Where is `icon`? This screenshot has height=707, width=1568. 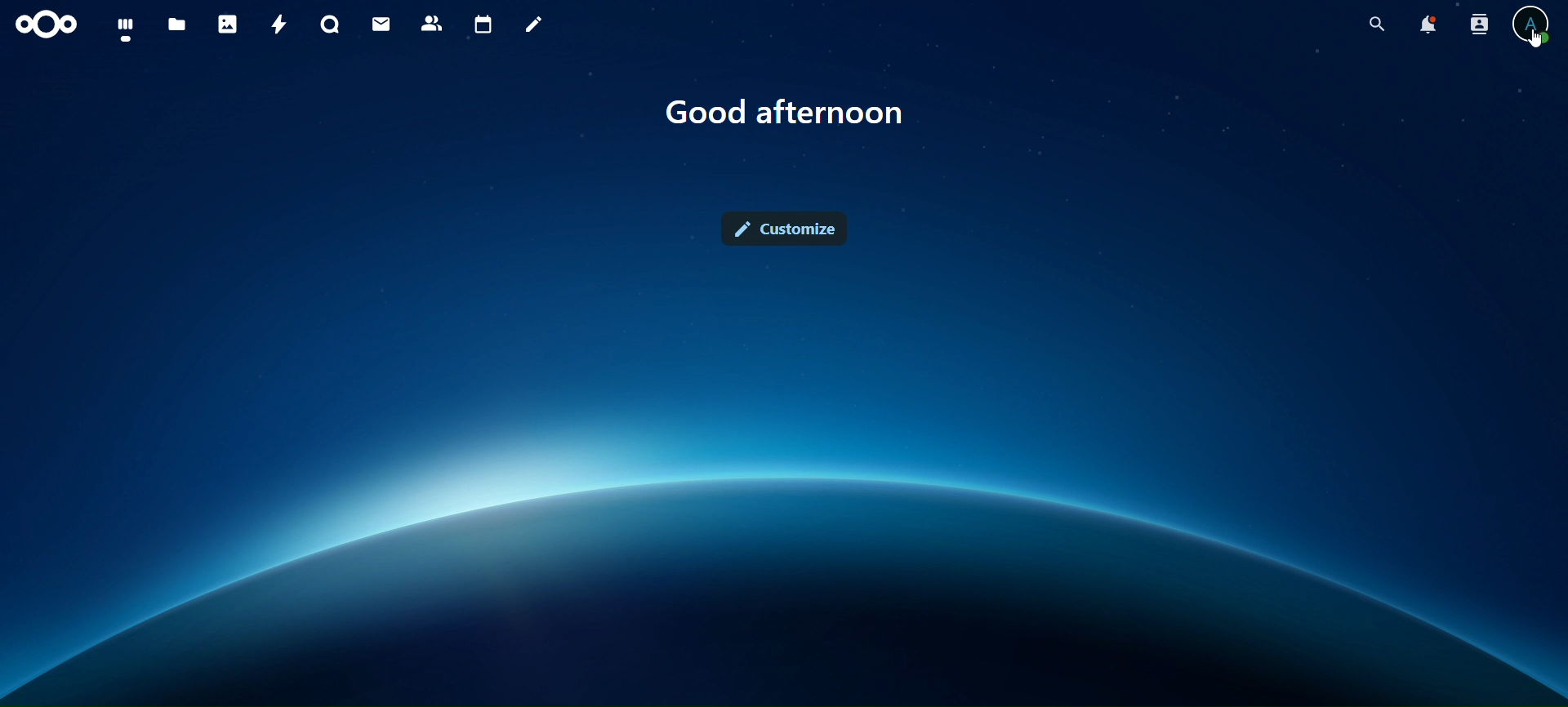 icon is located at coordinates (48, 24).